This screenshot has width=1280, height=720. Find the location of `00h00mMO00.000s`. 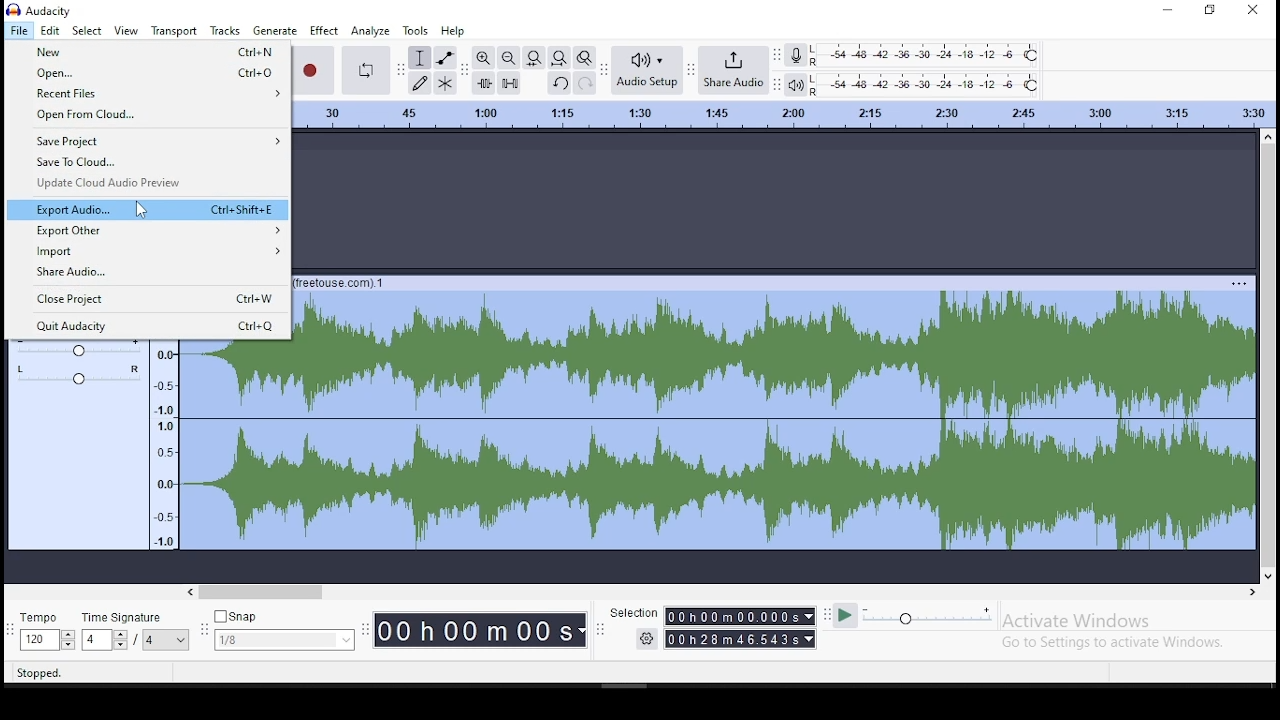

00h00mMO00.000s is located at coordinates (739, 616).